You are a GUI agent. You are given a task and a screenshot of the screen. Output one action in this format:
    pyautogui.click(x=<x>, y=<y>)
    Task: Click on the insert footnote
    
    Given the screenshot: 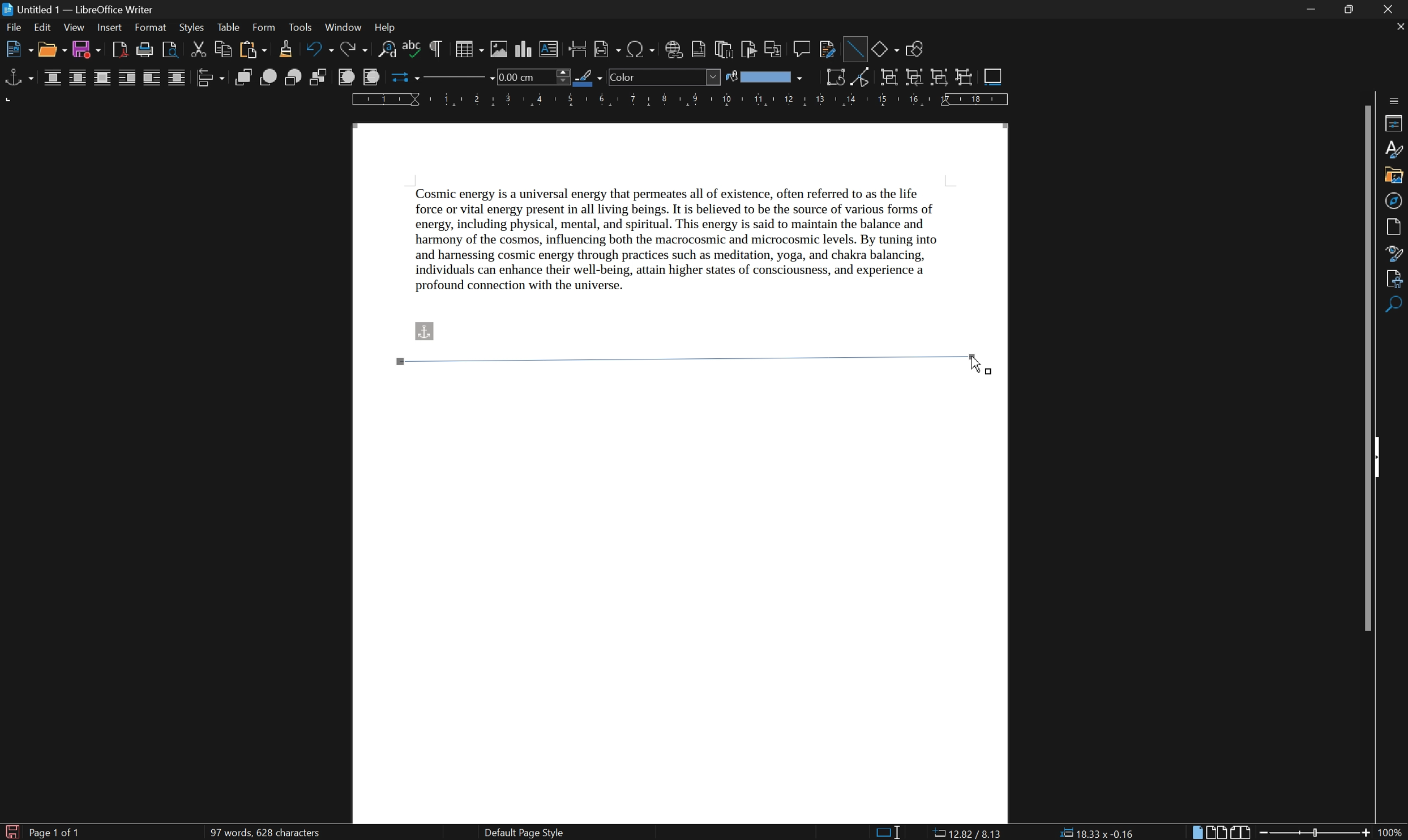 What is the action you would take?
    pyautogui.click(x=698, y=50)
    